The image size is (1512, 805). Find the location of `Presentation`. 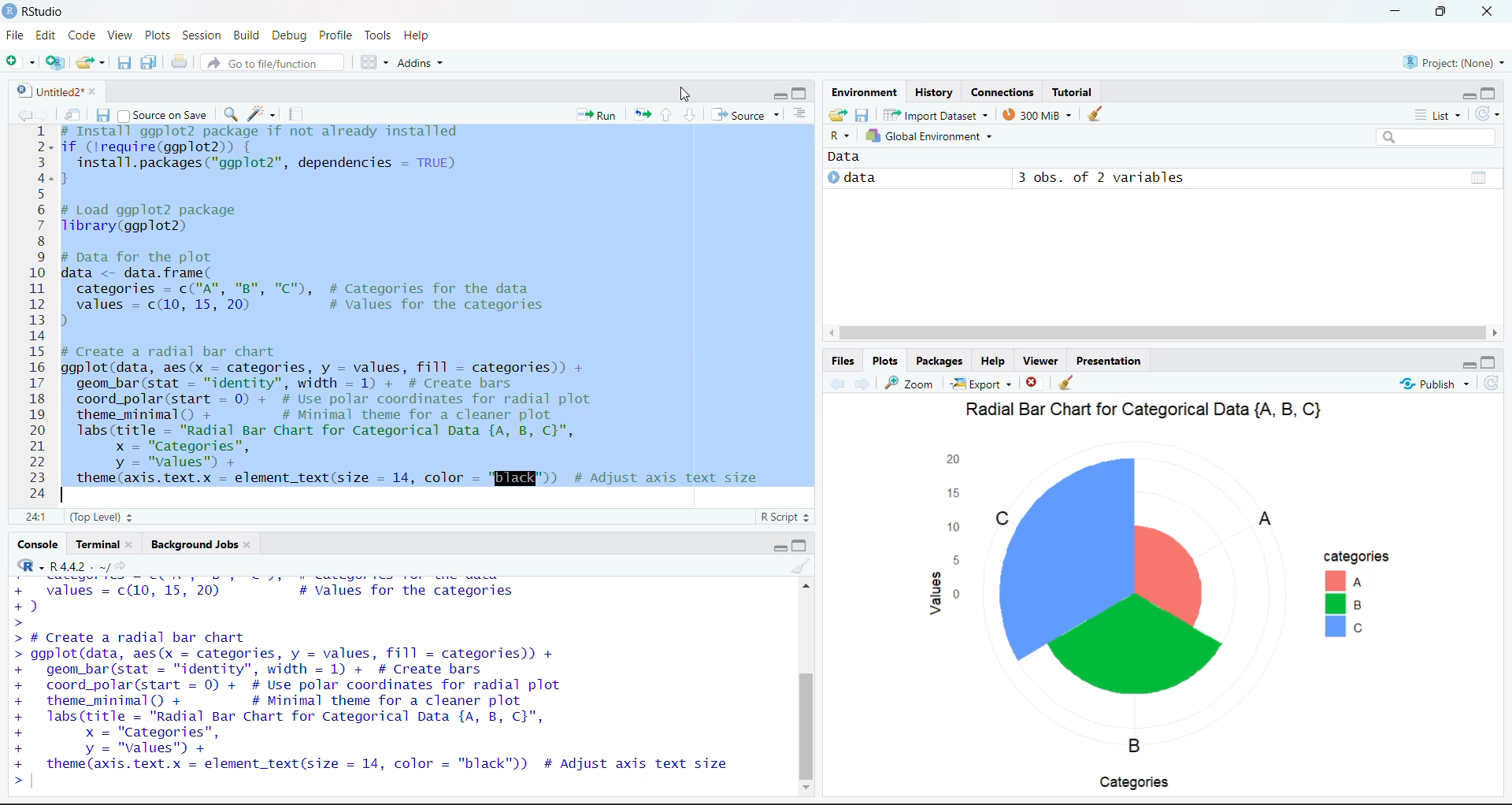

Presentation is located at coordinates (1112, 362).